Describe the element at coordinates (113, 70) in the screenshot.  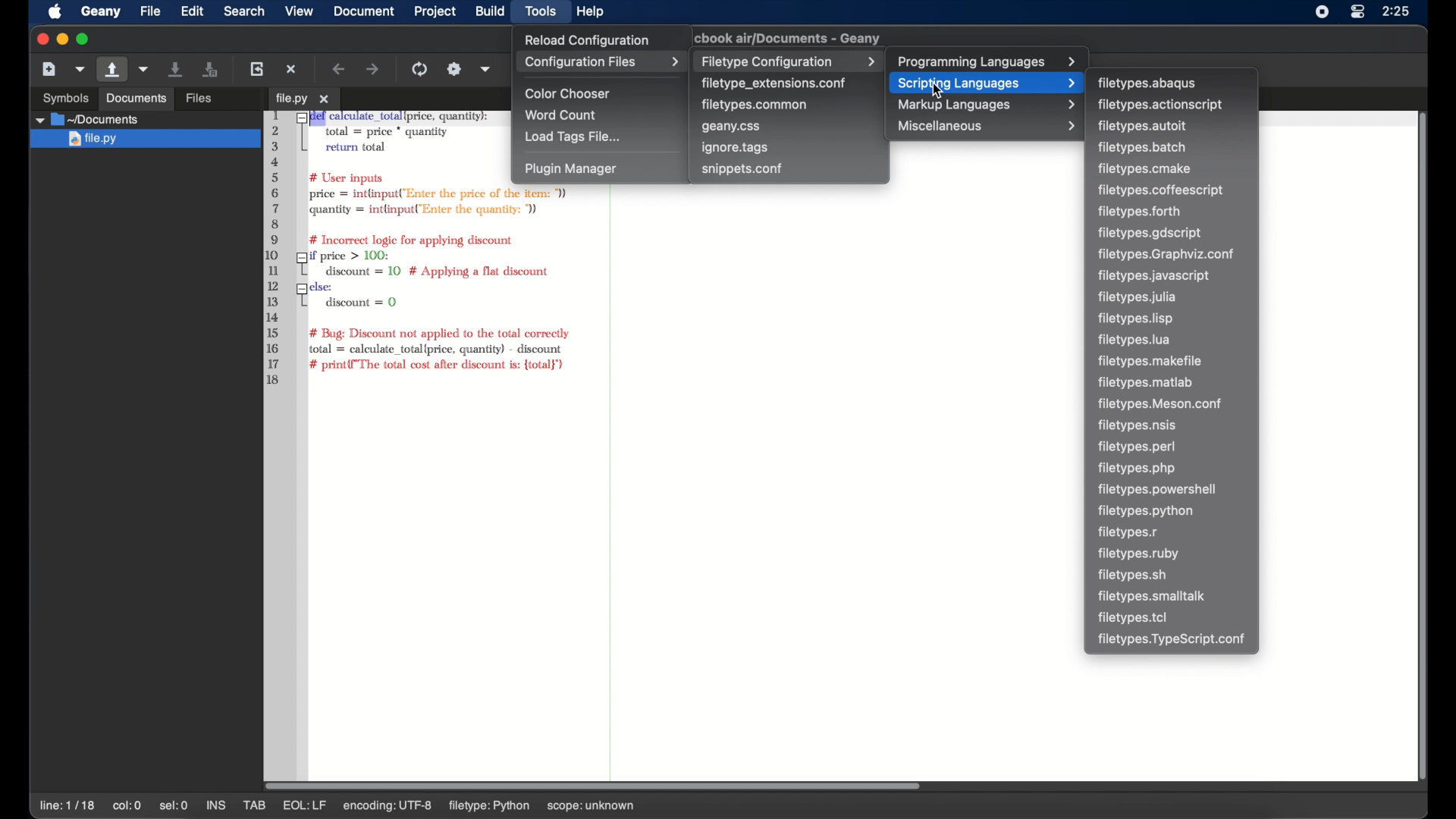
I see `open an existing file` at that location.